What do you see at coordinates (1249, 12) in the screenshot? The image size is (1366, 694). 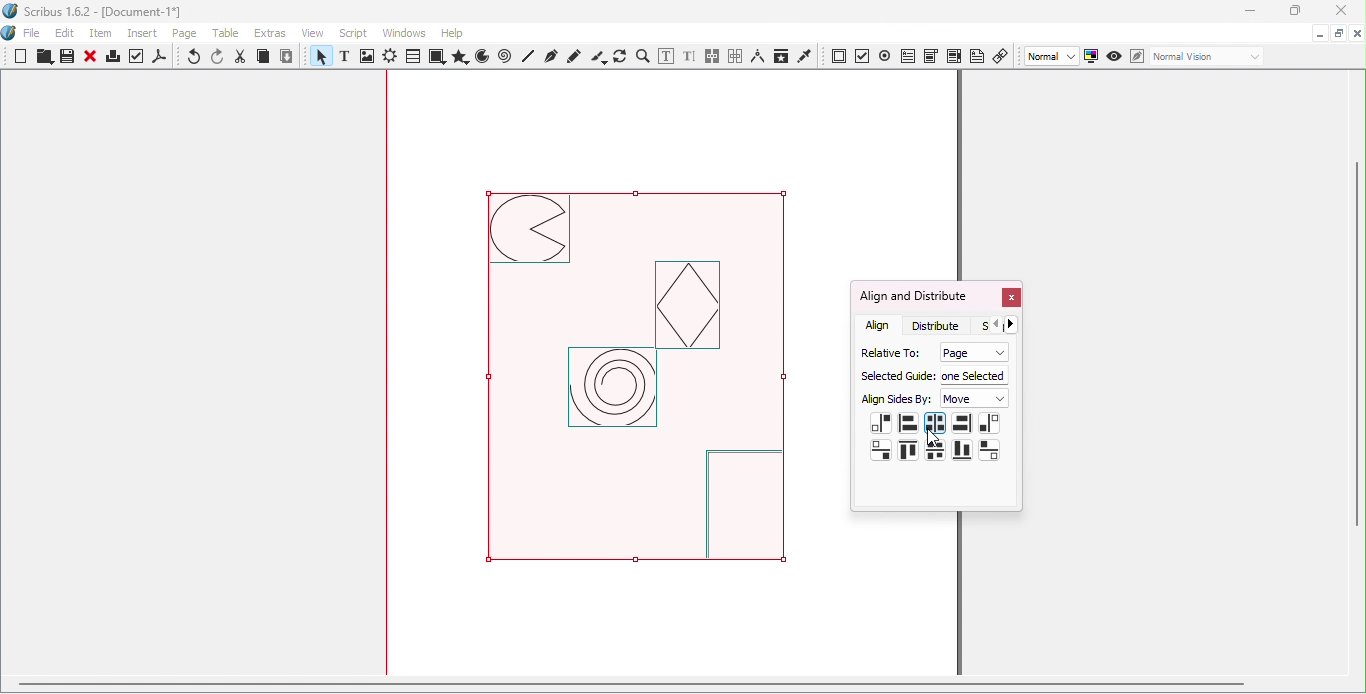 I see `Minimize` at bounding box center [1249, 12].